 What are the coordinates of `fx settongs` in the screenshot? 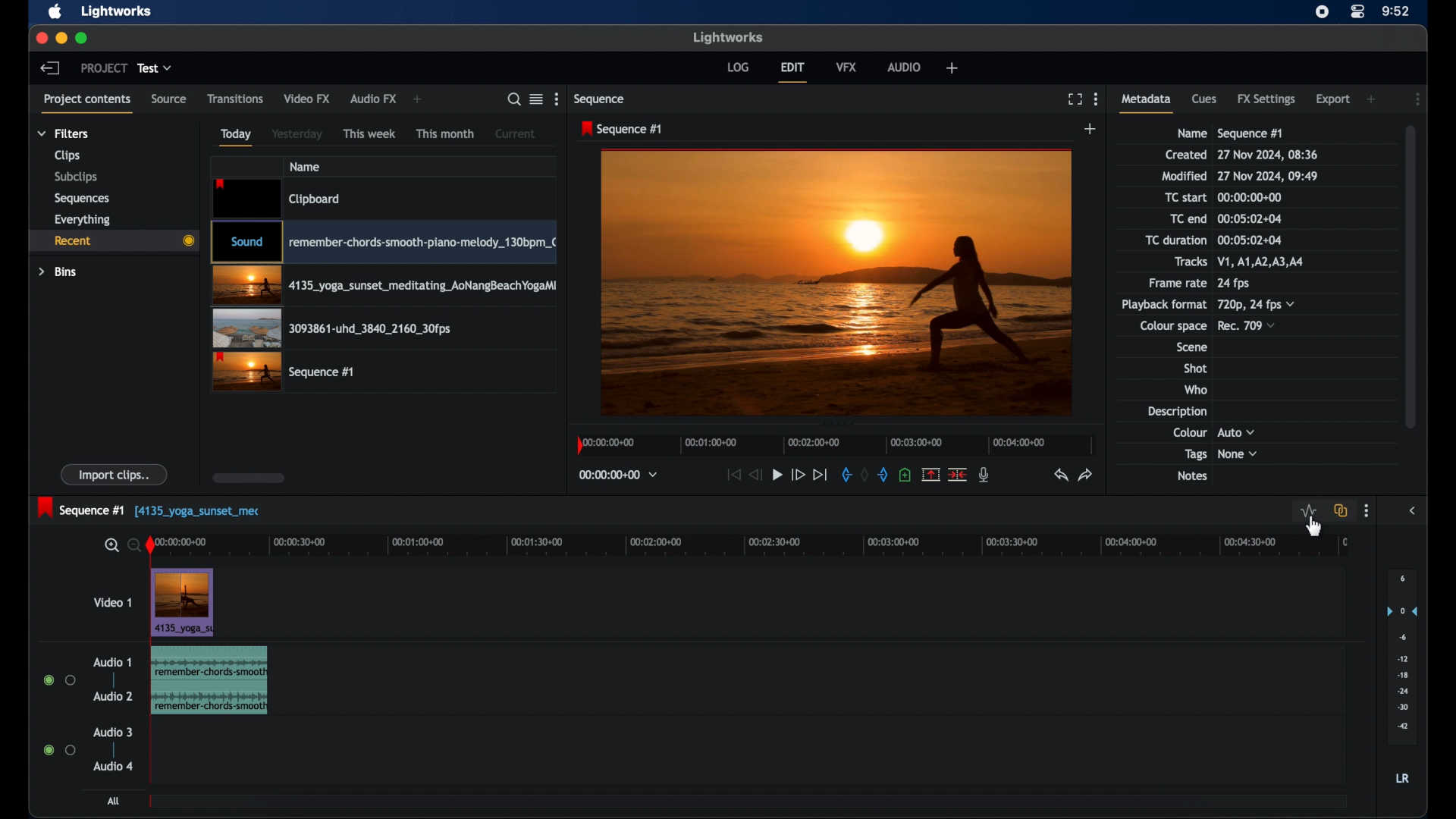 It's located at (1268, 99).